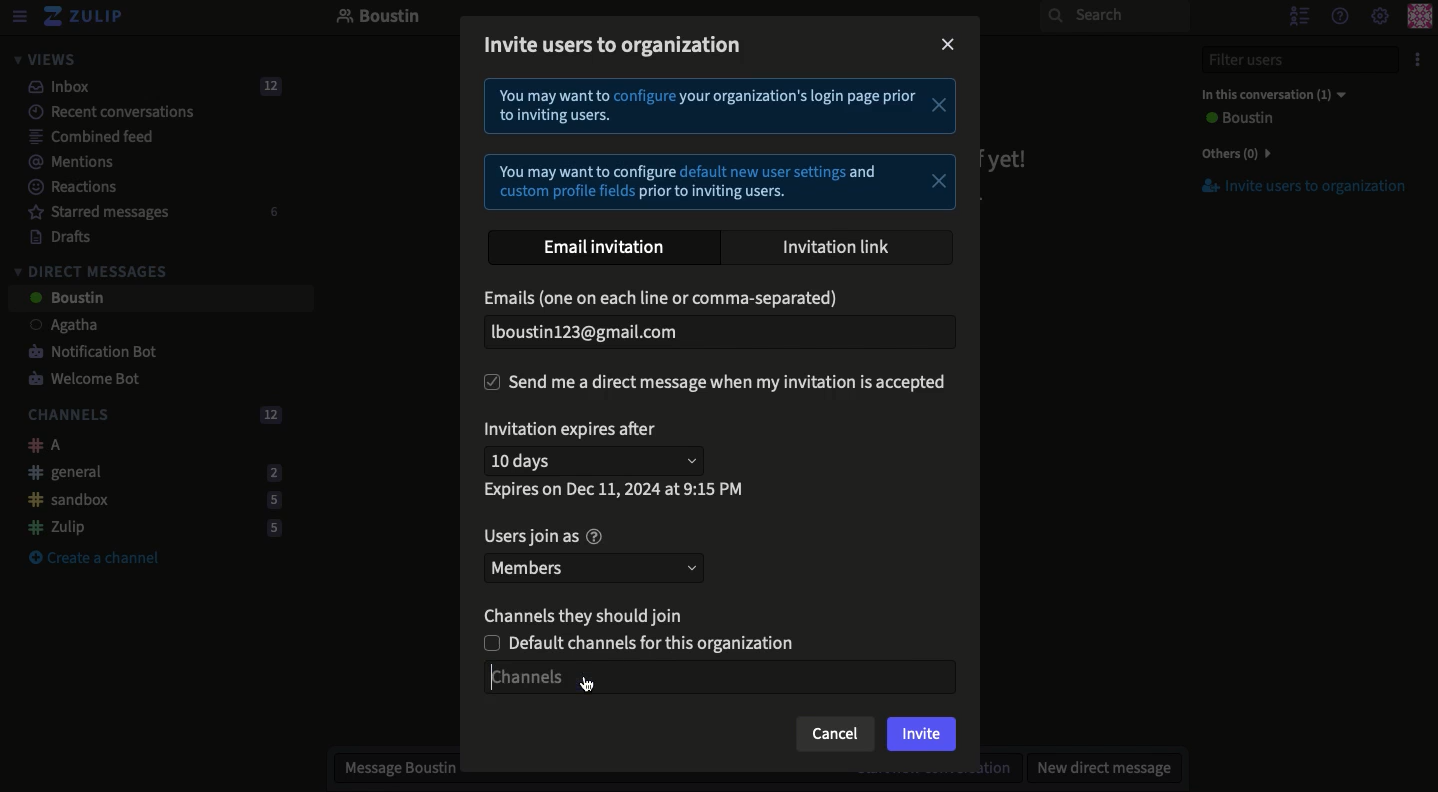 The height and width of the screenshot is (792, 1438). I want to click on Options, so click(1415, 60).